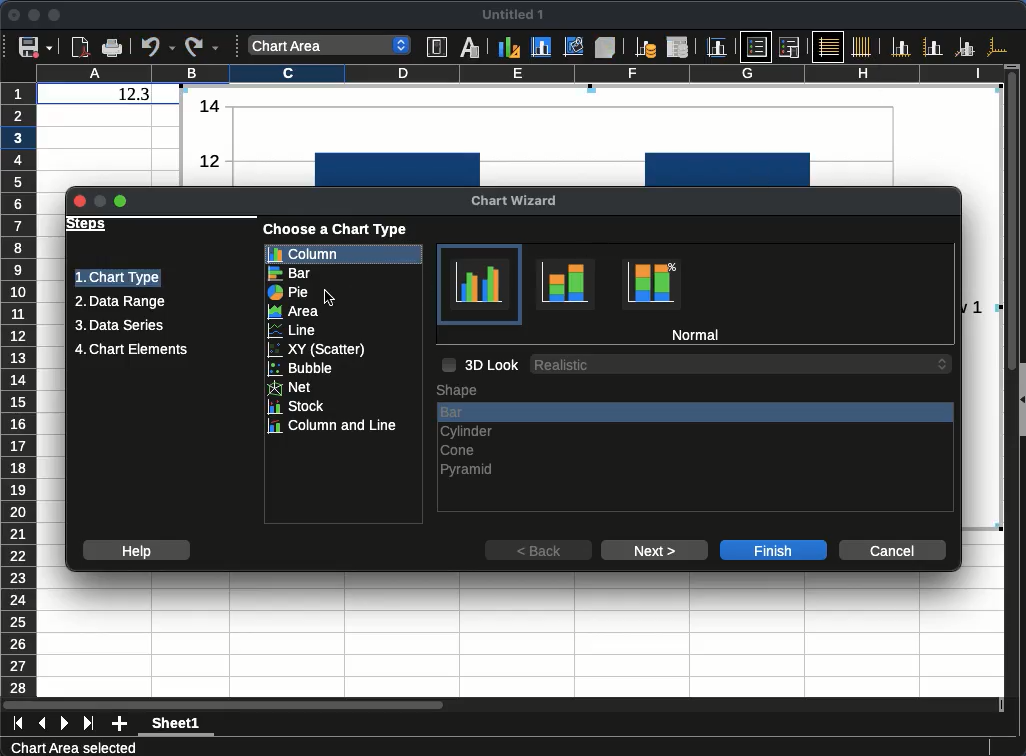  What do you see at coordinates (470, 46) in the screenshot?
I see `Character` at bounding box center [470, 46].